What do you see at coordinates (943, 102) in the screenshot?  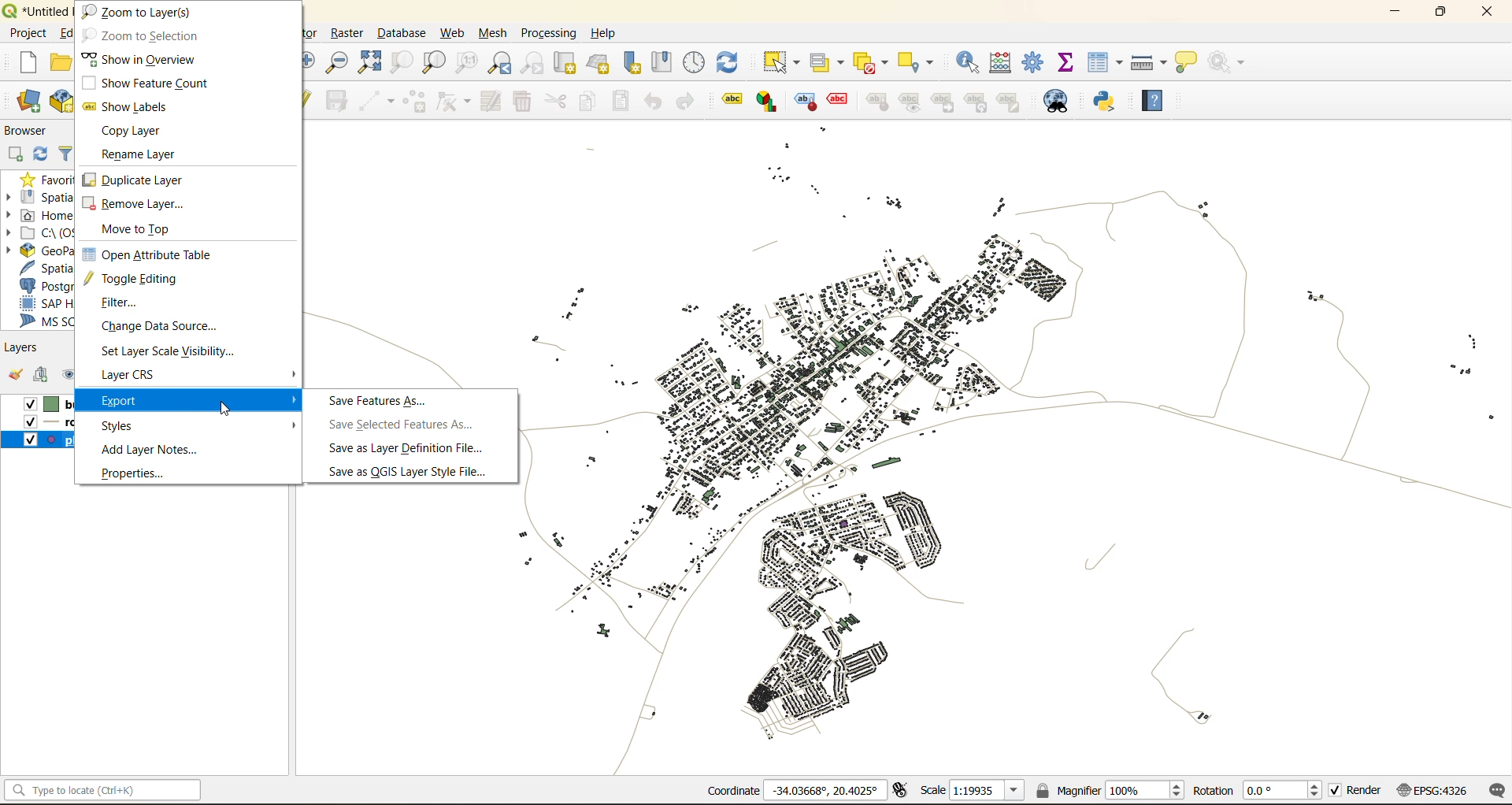 I see `move a label and diagram` at bounding box center [943, 102].